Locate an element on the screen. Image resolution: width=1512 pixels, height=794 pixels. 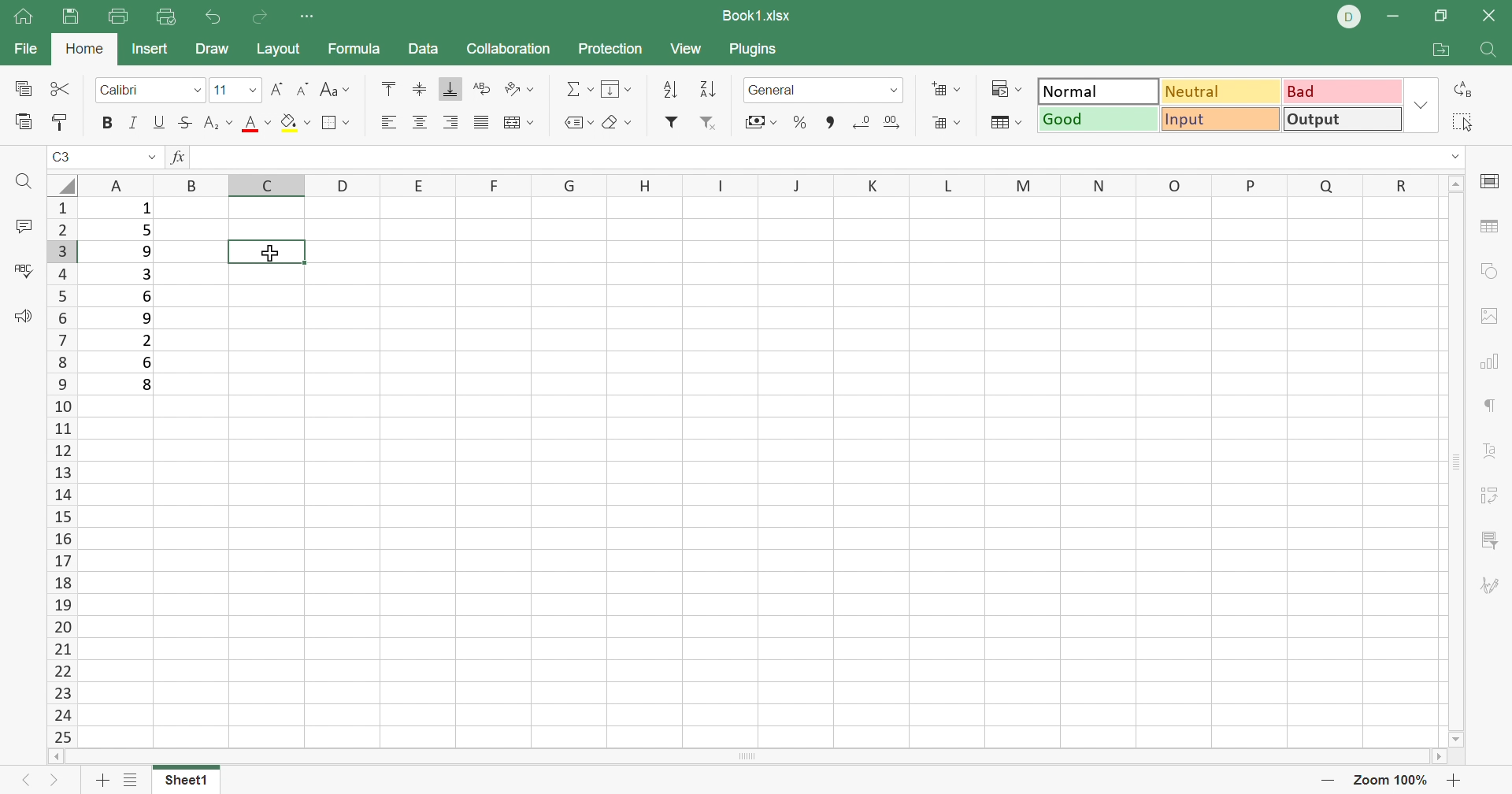
Scroll bar is located at coordinates (1456, 462).